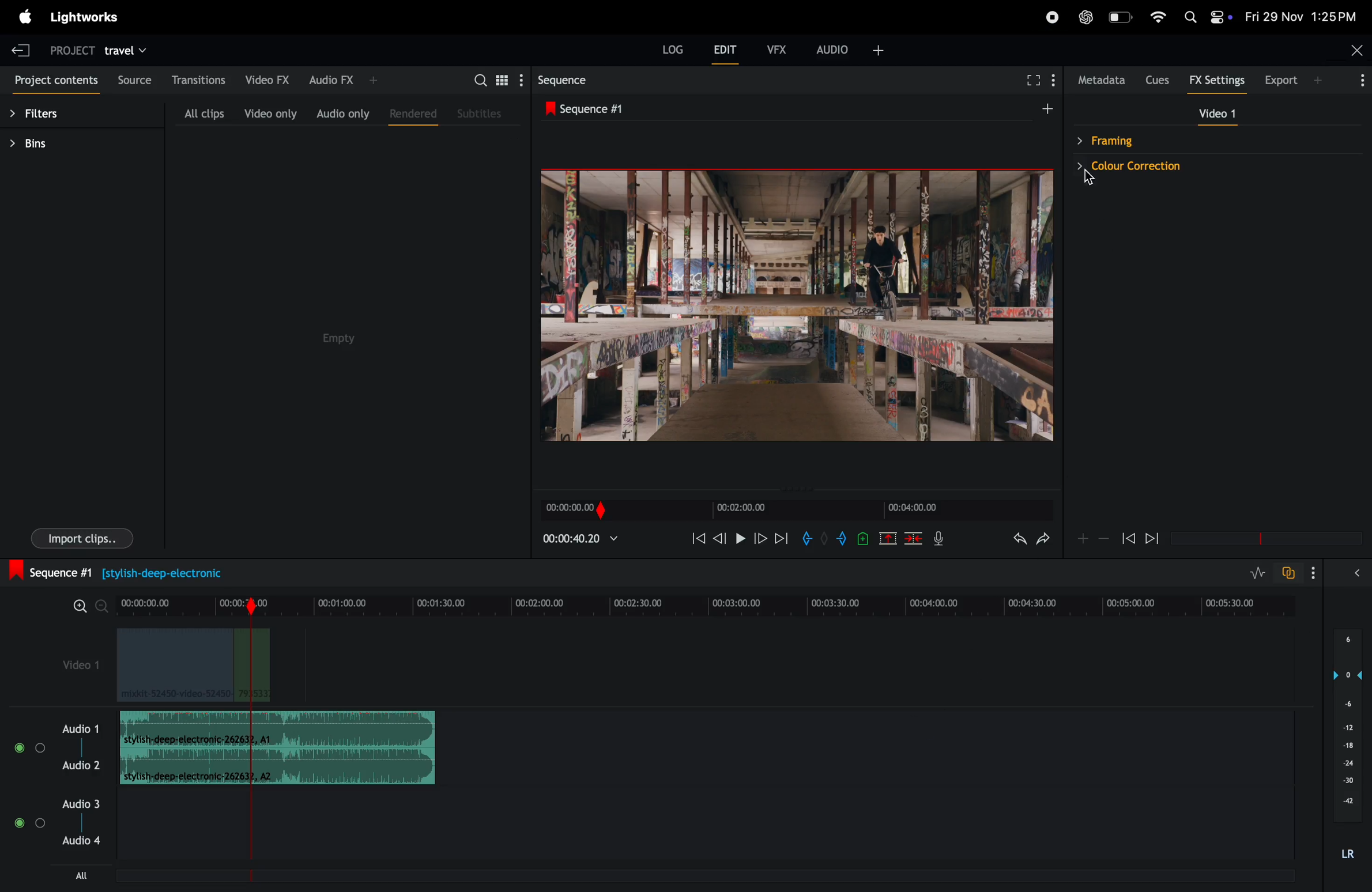 Image resolution: width=1372 pixels, height=892 pixels. Describe the element at coordinates (782, 541) in the screenshot. I see `forward play` at that location.